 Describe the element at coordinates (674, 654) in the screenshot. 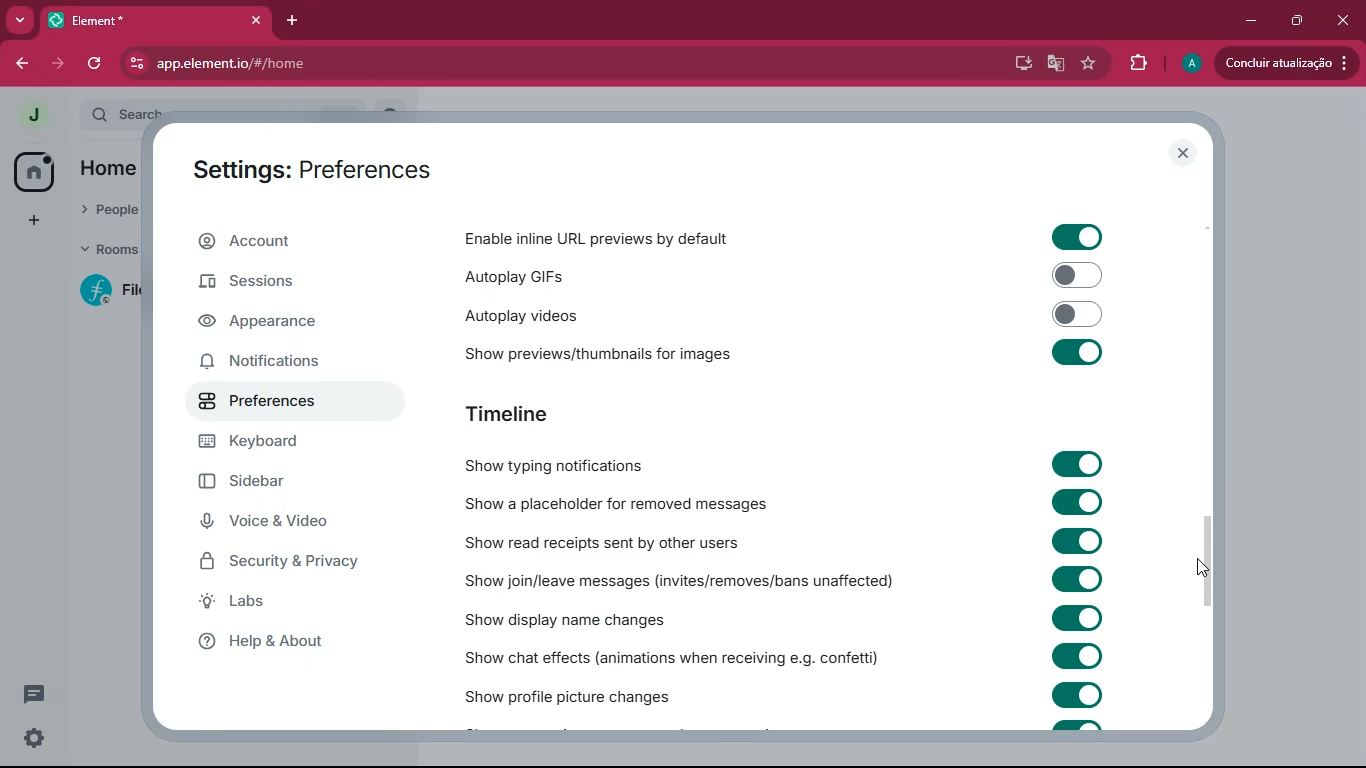

I see `show chat effects (animations when receiving e.g. confetti)` at that location.